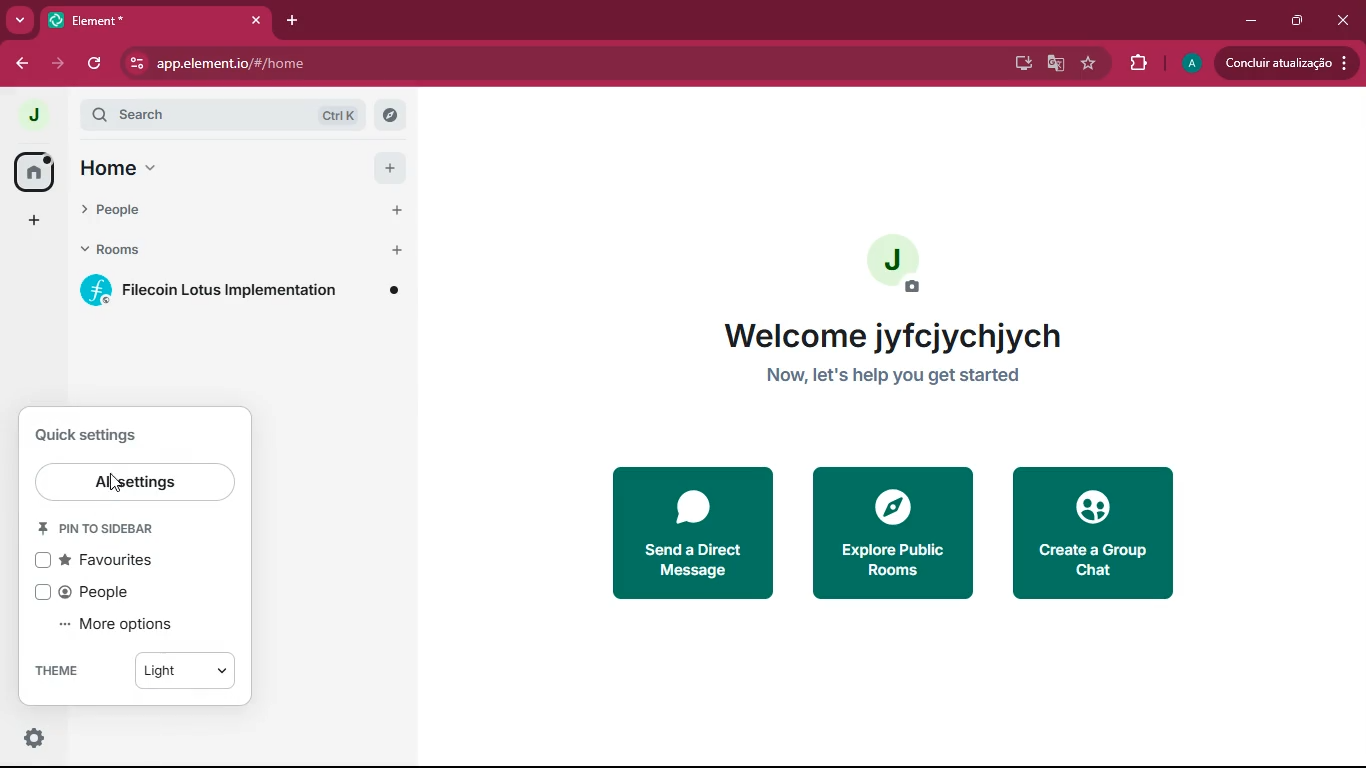 Image resolution: width=1366 pixels, height=768 pixels. I want to click on quick settings, so click(96, 433).